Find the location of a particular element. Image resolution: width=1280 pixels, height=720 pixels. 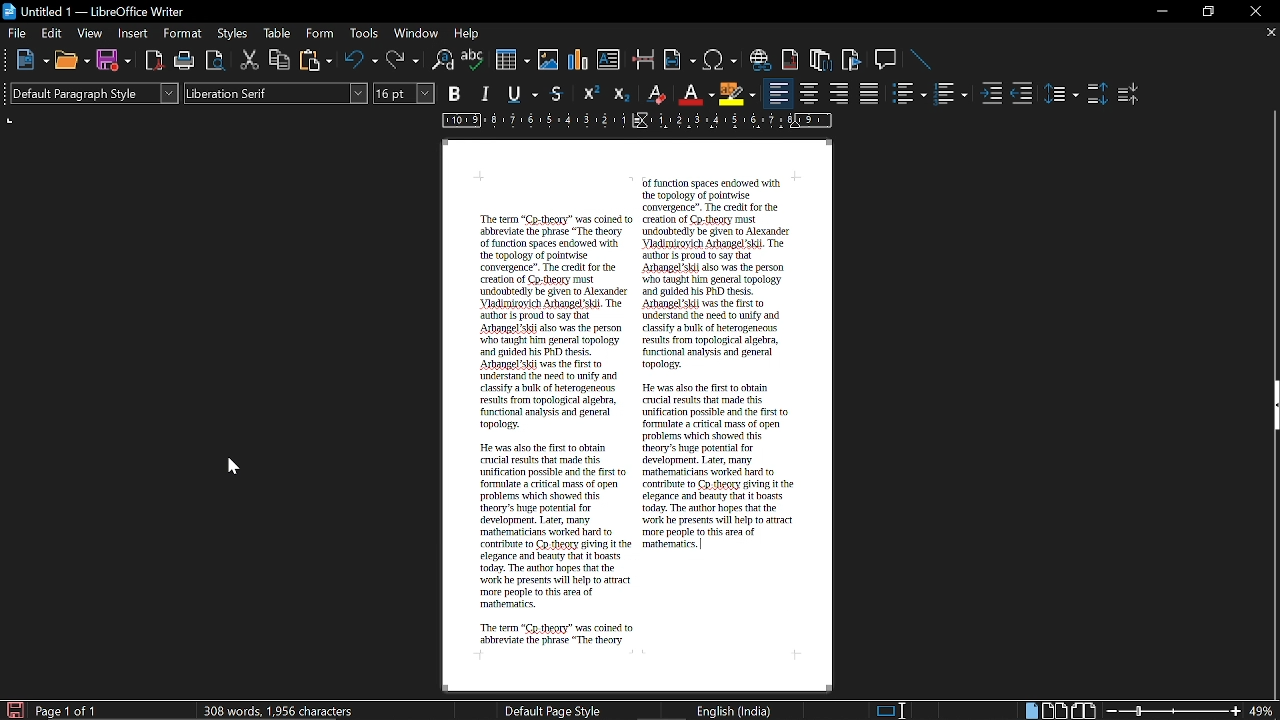

Bold is located at coordinates (456, 93).